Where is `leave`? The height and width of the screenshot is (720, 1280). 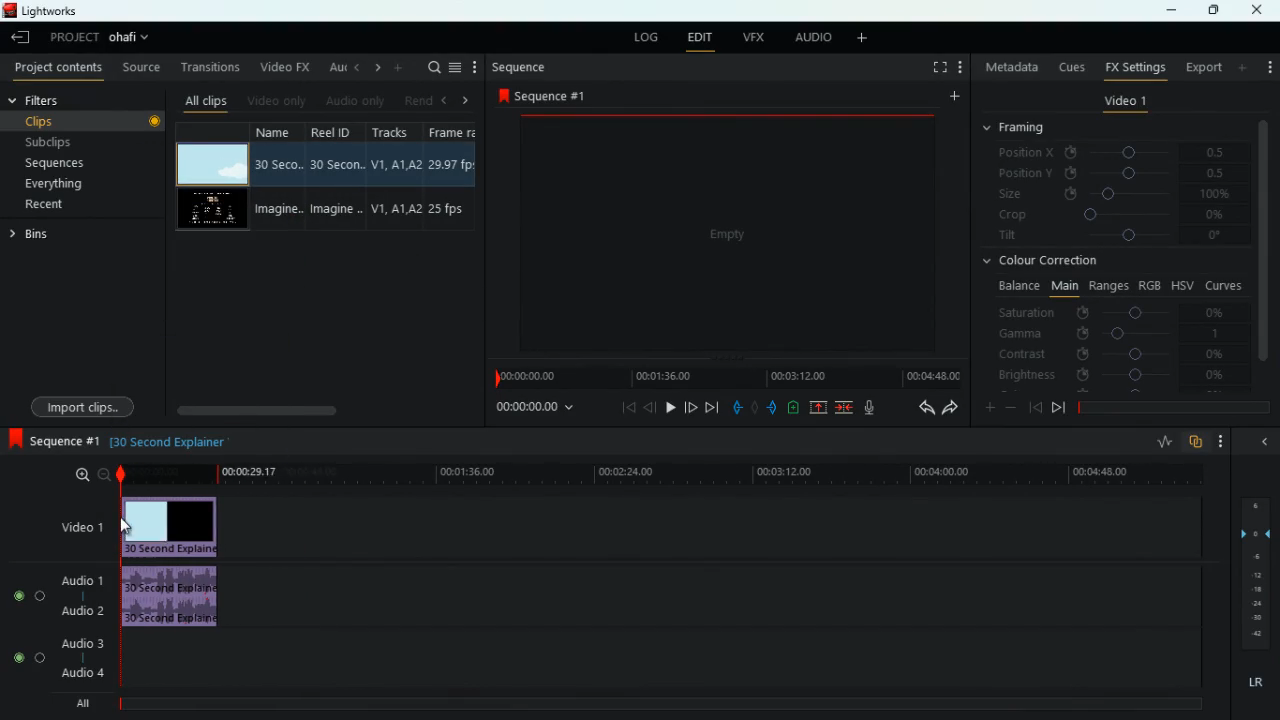
leave is located at coordinates (22, 36).